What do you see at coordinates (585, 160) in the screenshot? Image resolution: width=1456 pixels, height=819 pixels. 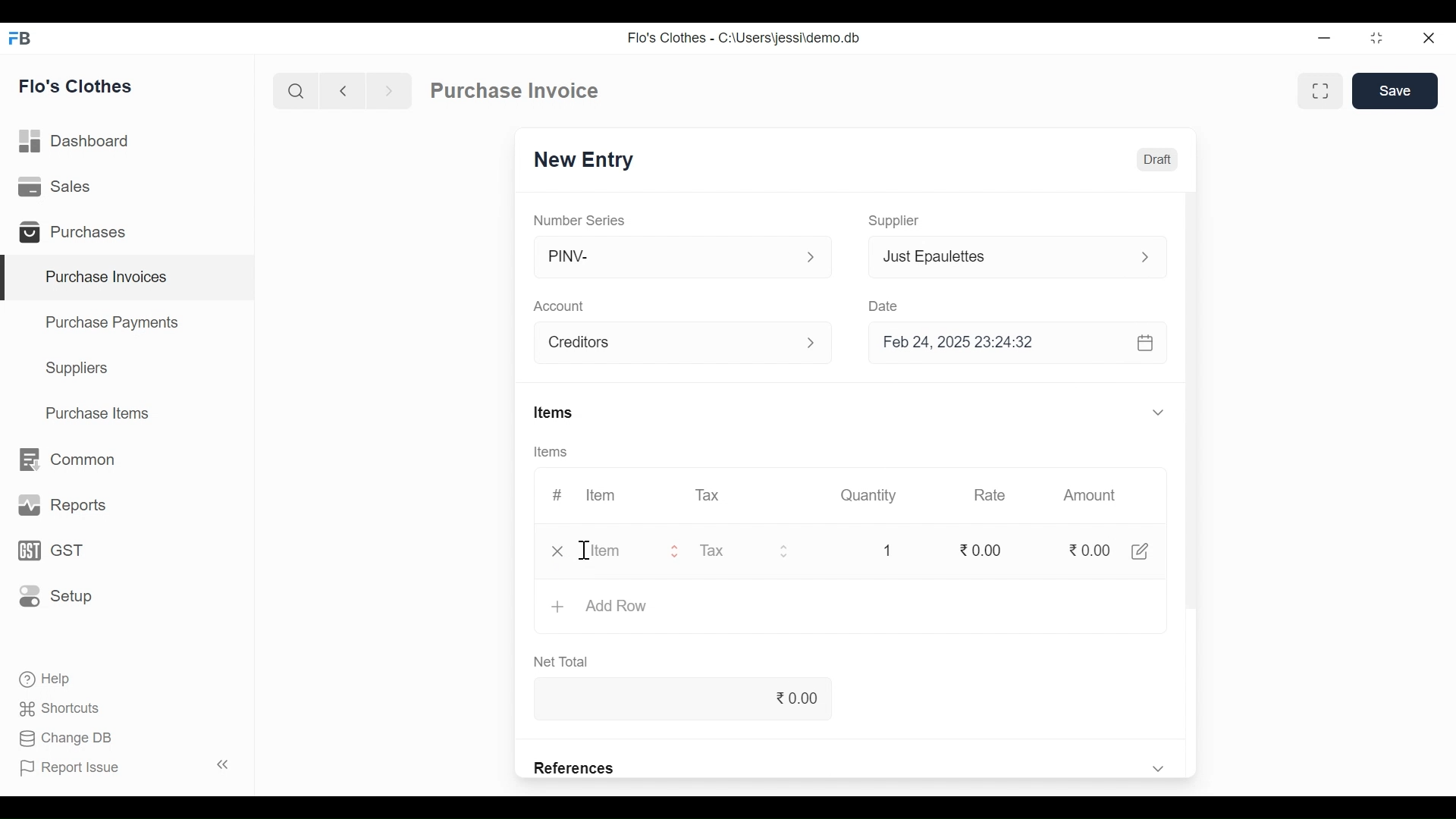 I see `New Entry` at bounding box center [585, 160].